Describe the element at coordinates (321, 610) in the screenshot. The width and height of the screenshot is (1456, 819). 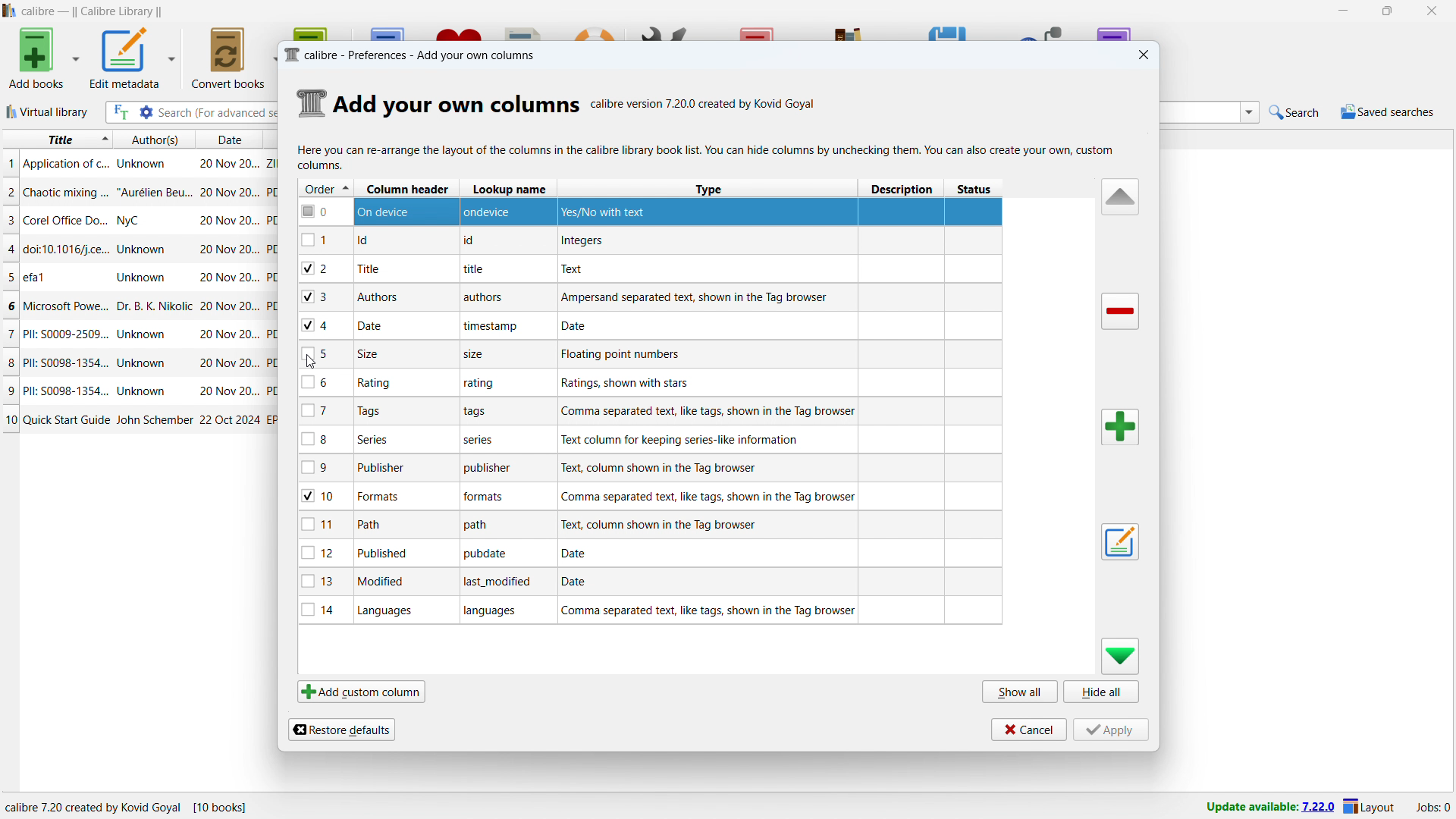
I see `14` at that location.